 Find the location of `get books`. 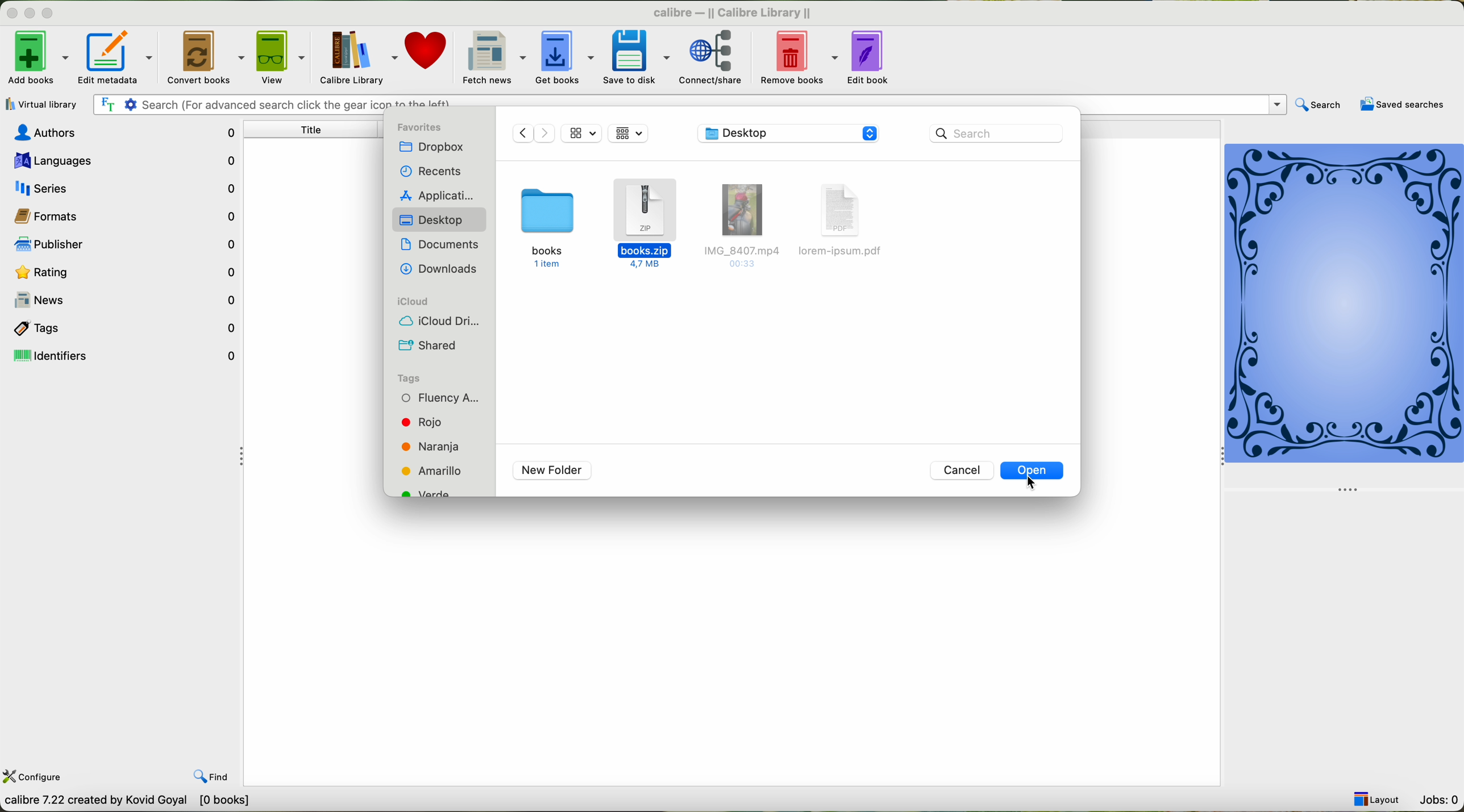

get books is located at coordinates (564, 57).